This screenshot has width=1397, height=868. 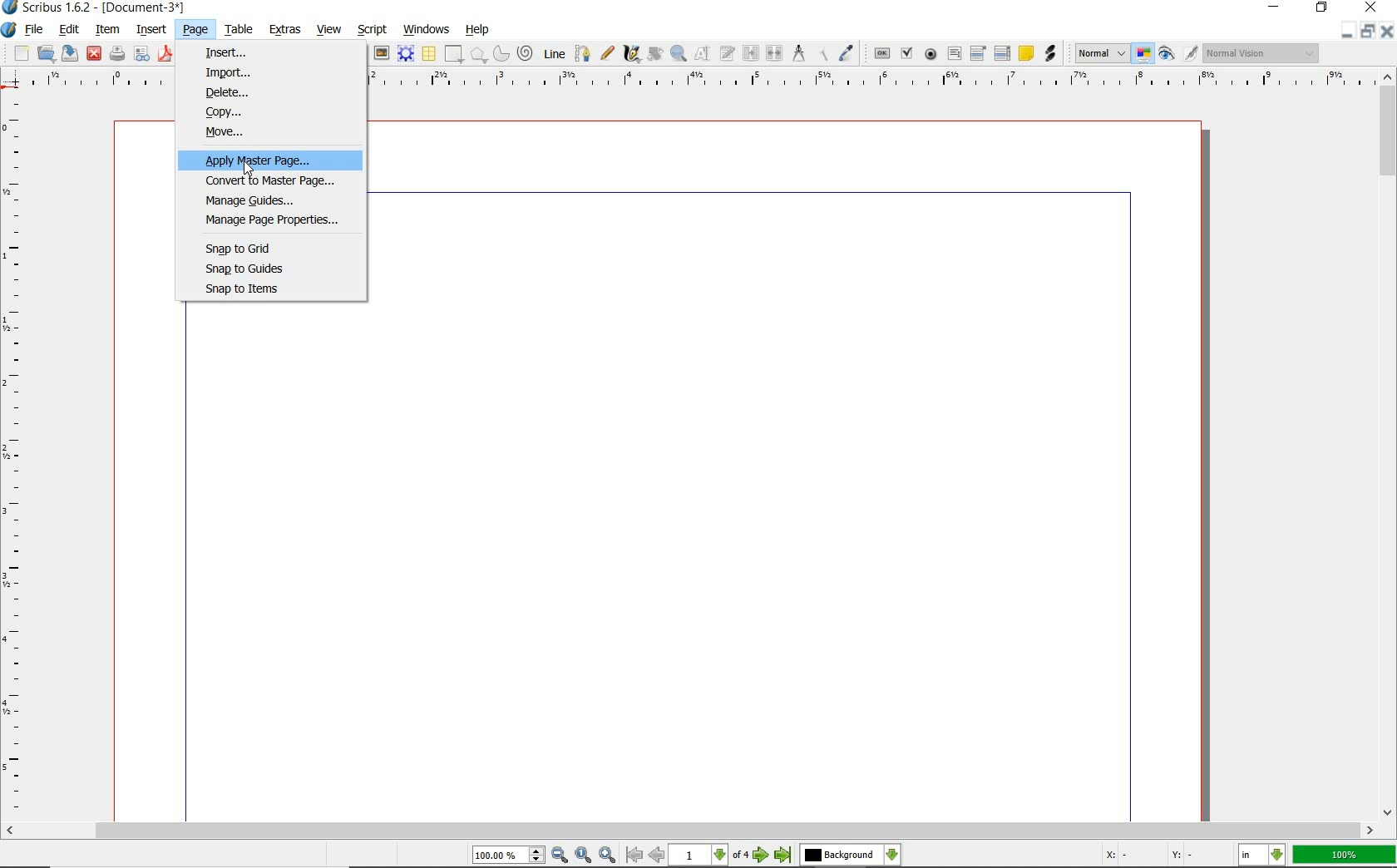 I want to click on script, so click(x=373, y=31).